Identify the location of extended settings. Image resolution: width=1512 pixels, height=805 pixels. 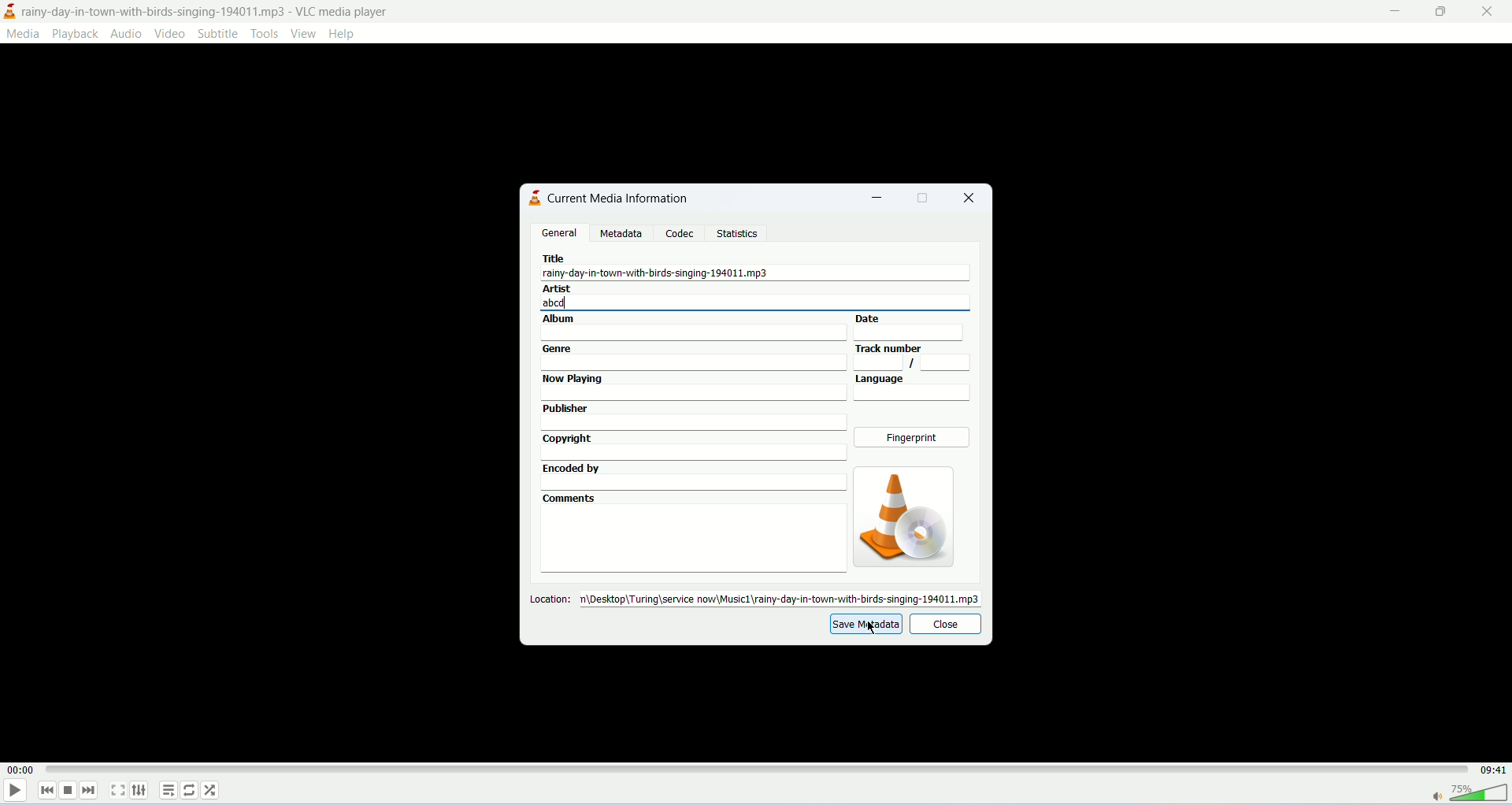
(144, 789).